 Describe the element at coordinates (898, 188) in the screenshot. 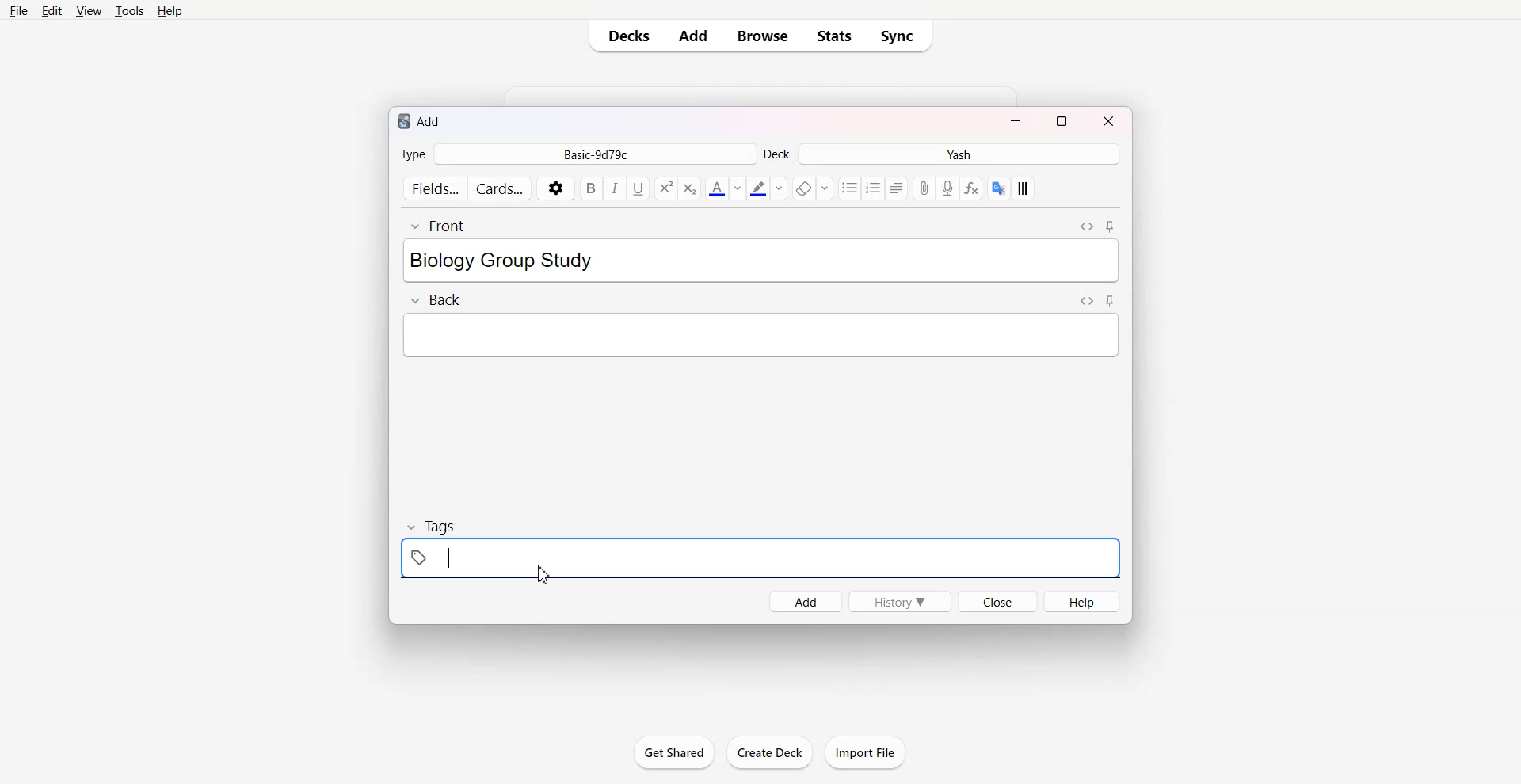

I see `Alignment` at that location.